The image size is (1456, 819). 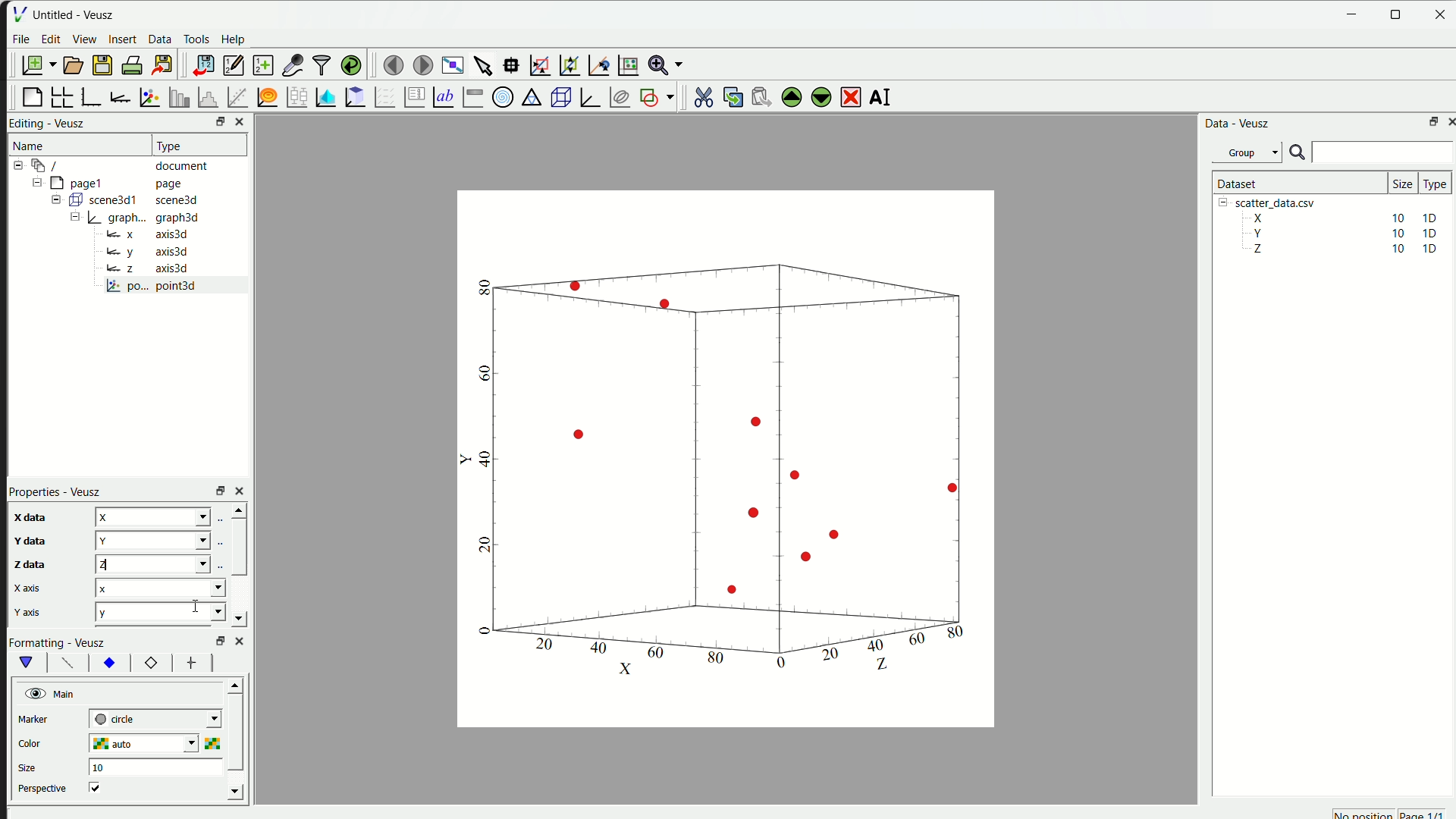 I want to click on x data, so click(x=29, y=517).